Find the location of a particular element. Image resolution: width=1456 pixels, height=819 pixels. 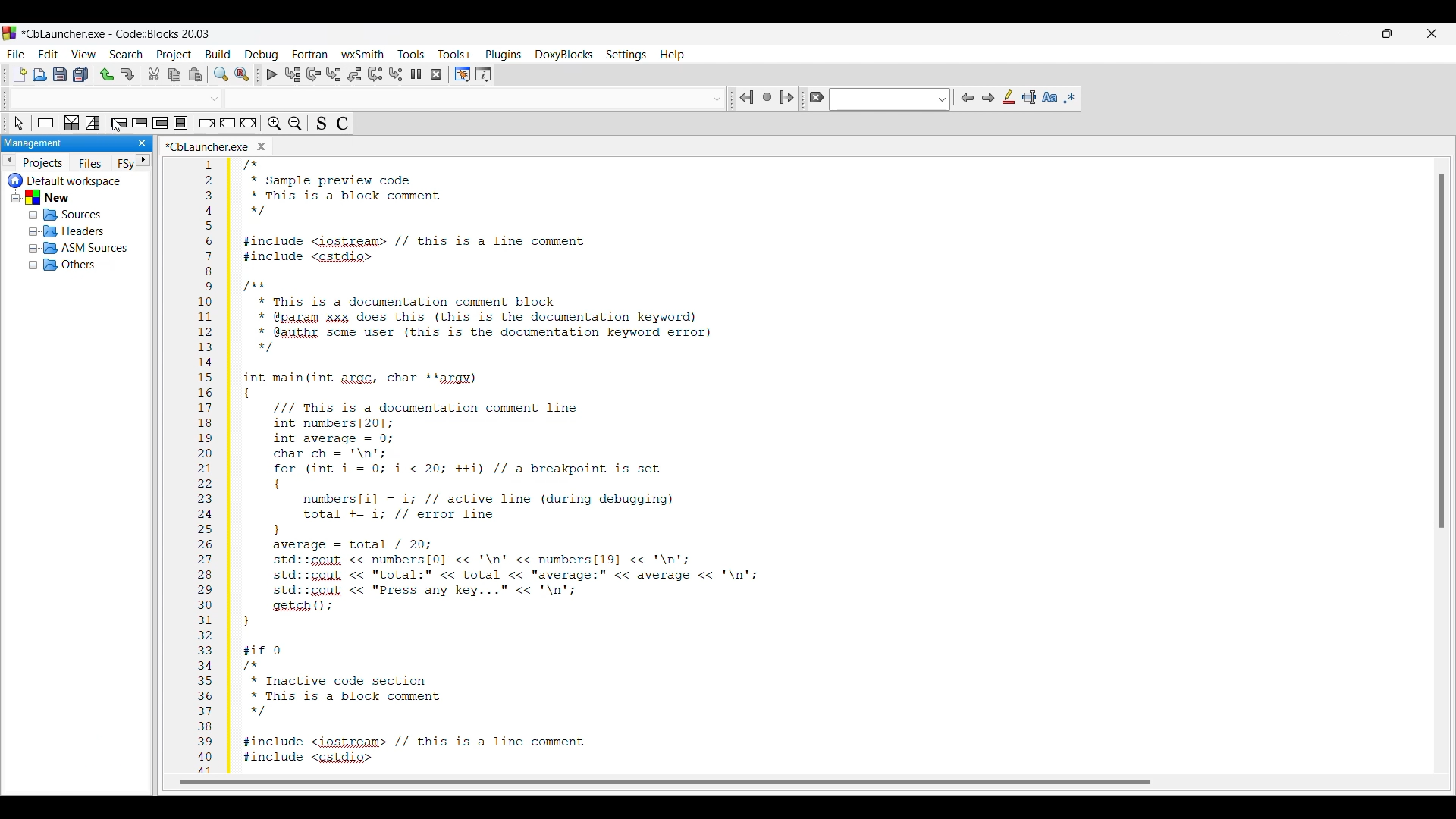

Build menu is located at coordinates (218, 54).